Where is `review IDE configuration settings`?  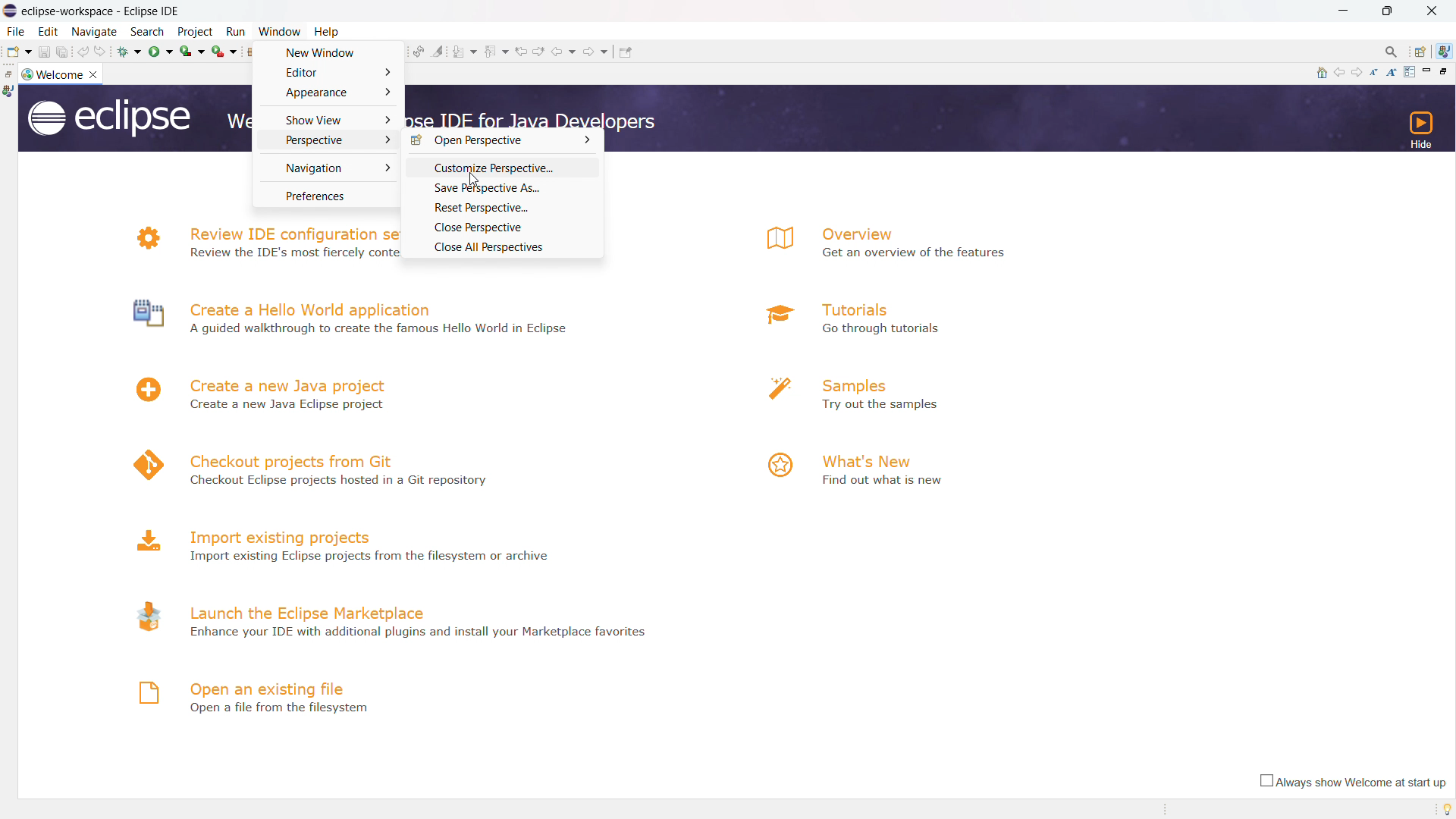
review IDE configuration settings is located at coordinates (290, 231).